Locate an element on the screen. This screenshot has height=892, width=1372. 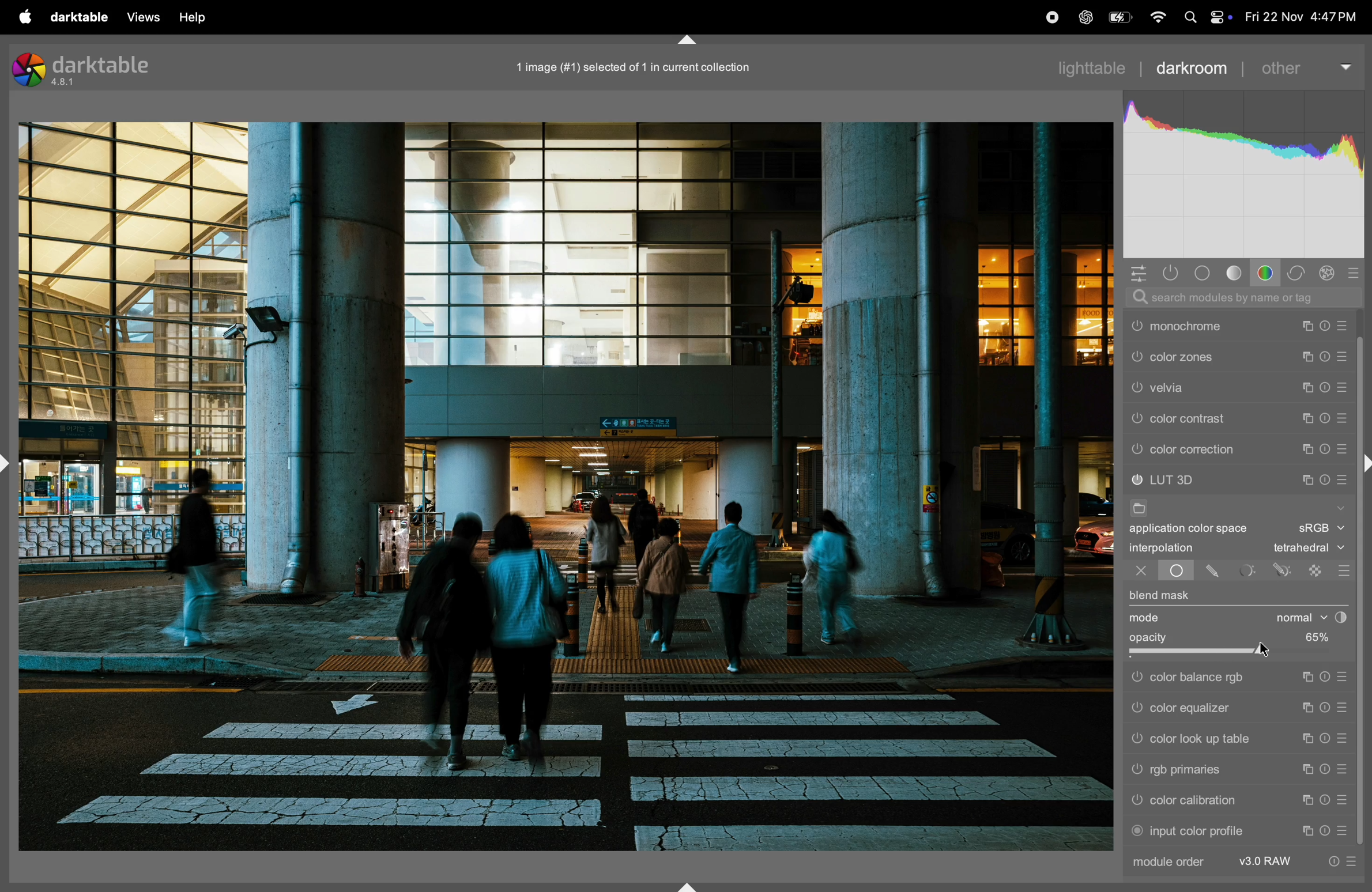
darktable is located at coordinates (80, 16).